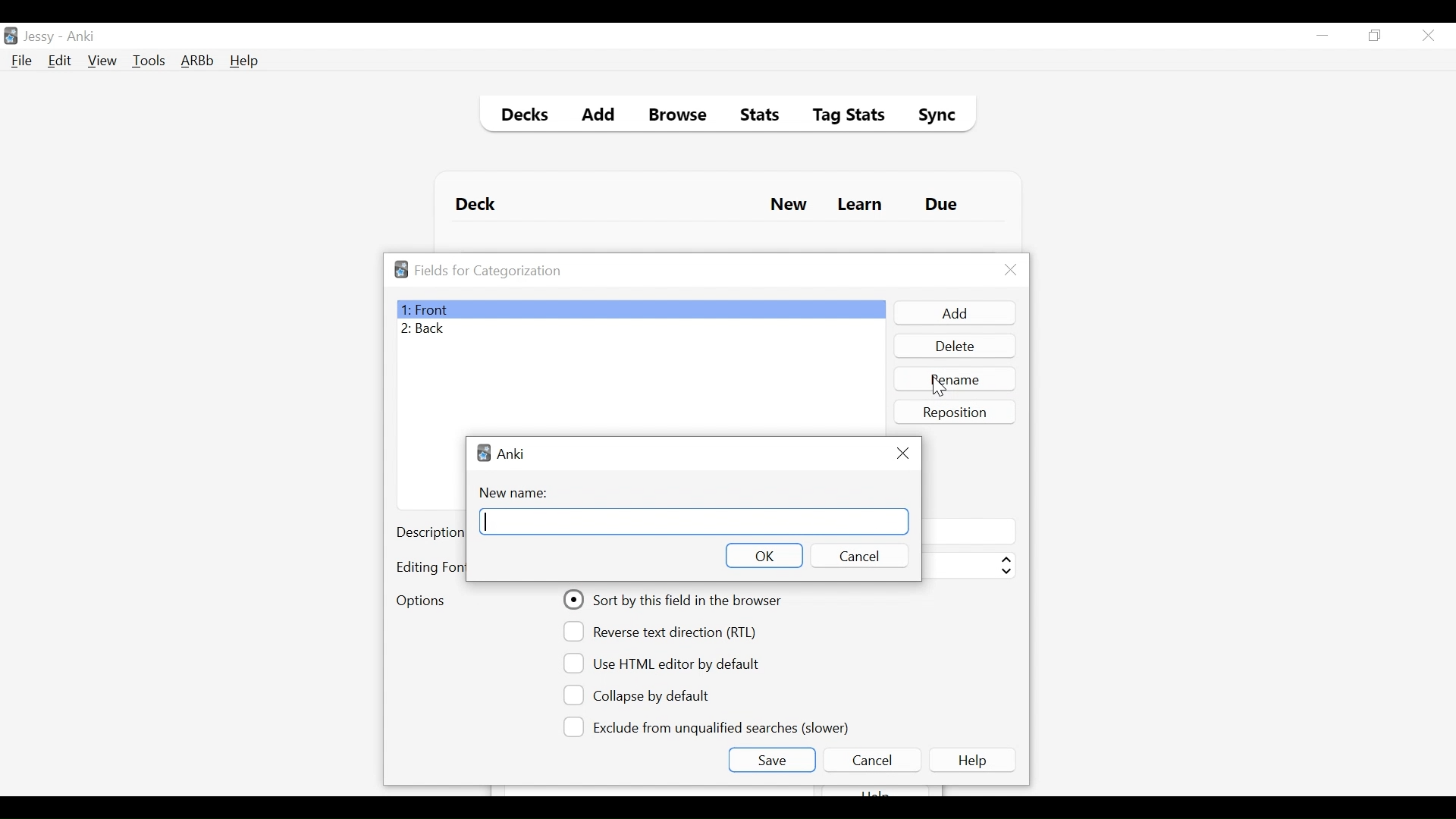 The width and height of the screenshot is (1456, 819). What do you see at coordinates (198, 61) in the screenshot?
I see `Advanced Review Button bar` at bounding box center [198, 61].